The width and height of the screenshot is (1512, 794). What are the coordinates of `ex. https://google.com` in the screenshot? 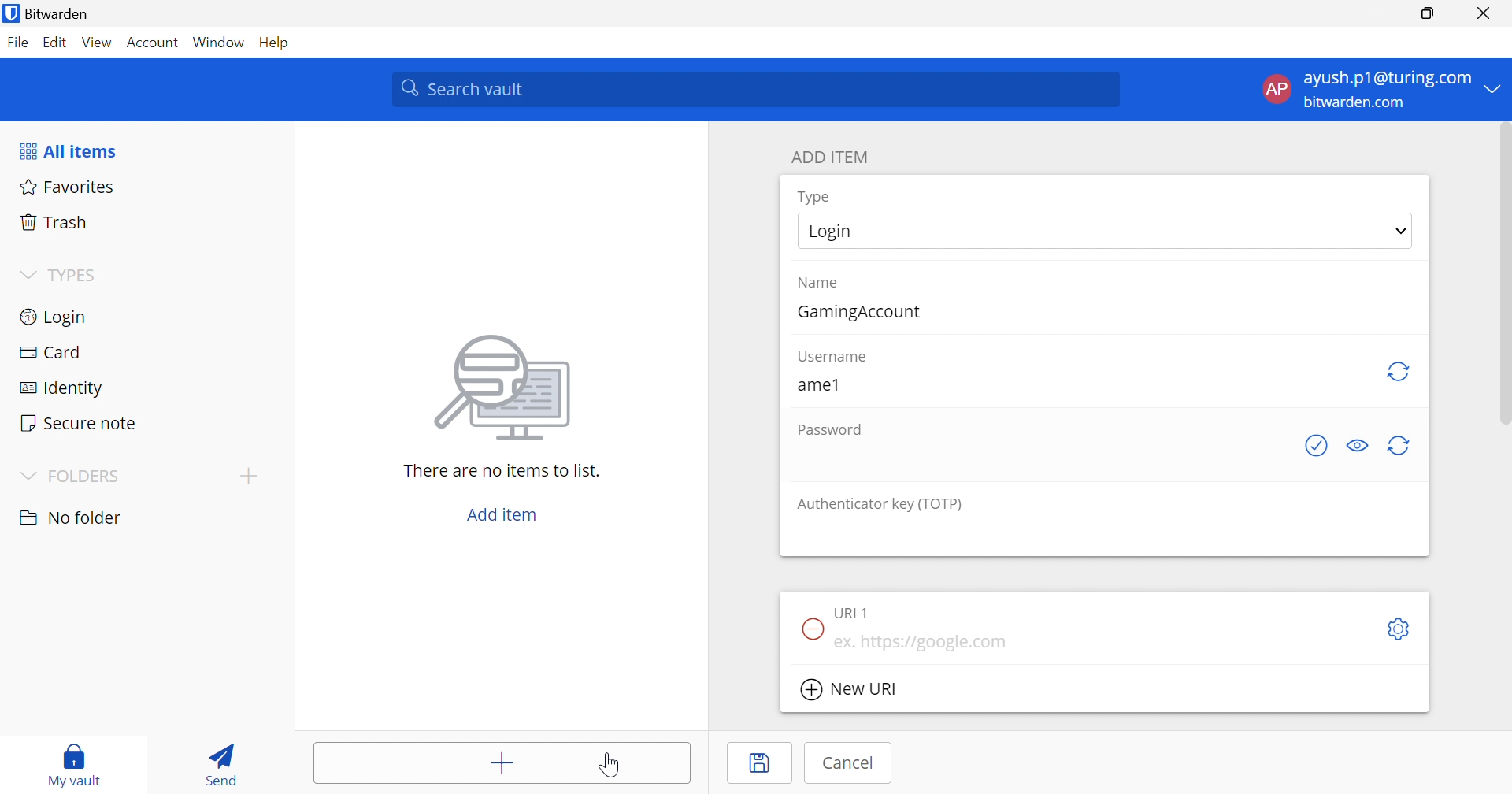 It's located at (923, 643).